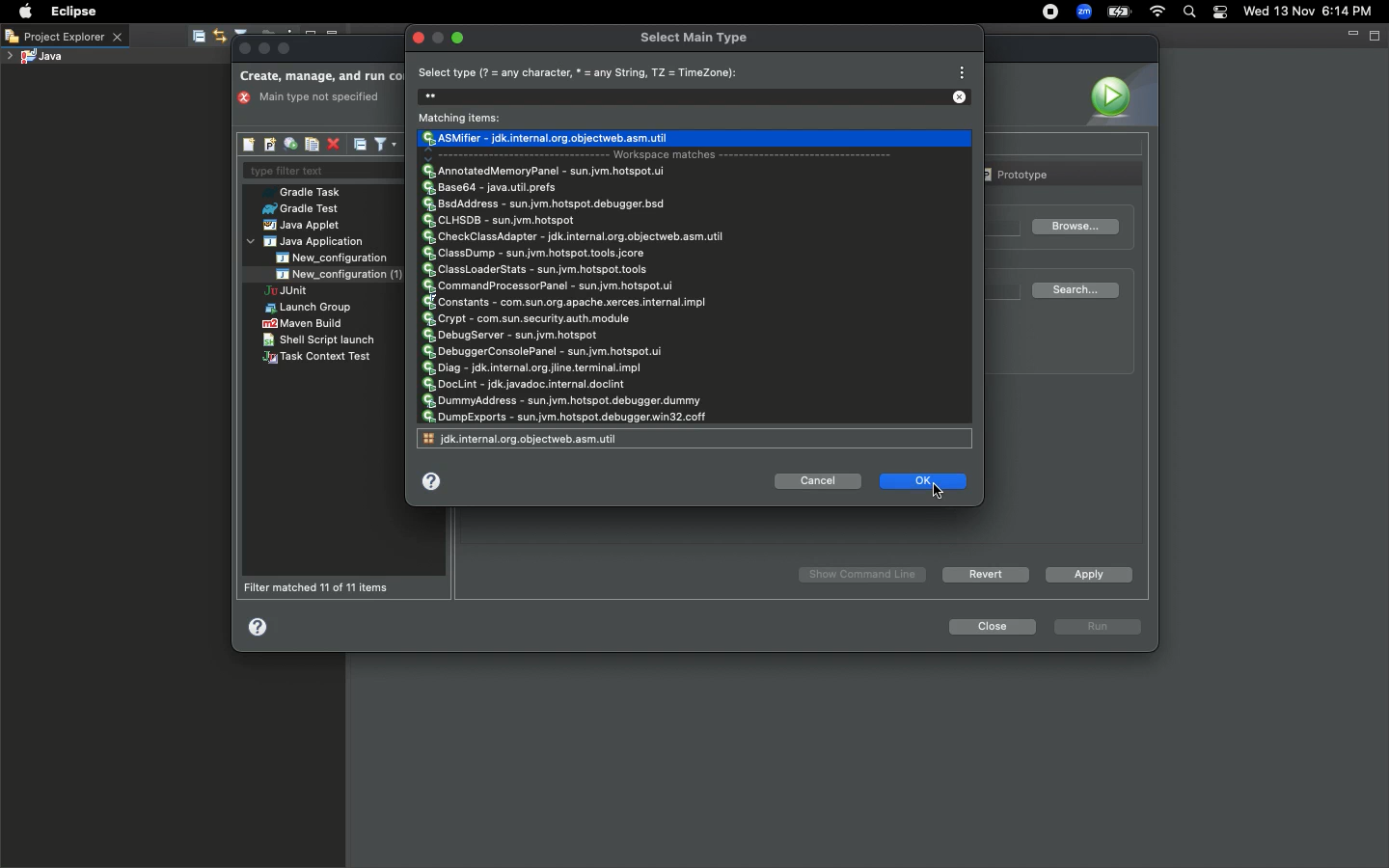 This screenshot has width=1389, height=868. Describe the element at coordinates (1156, 14) in the screenshot. I see `Internet` at that location.